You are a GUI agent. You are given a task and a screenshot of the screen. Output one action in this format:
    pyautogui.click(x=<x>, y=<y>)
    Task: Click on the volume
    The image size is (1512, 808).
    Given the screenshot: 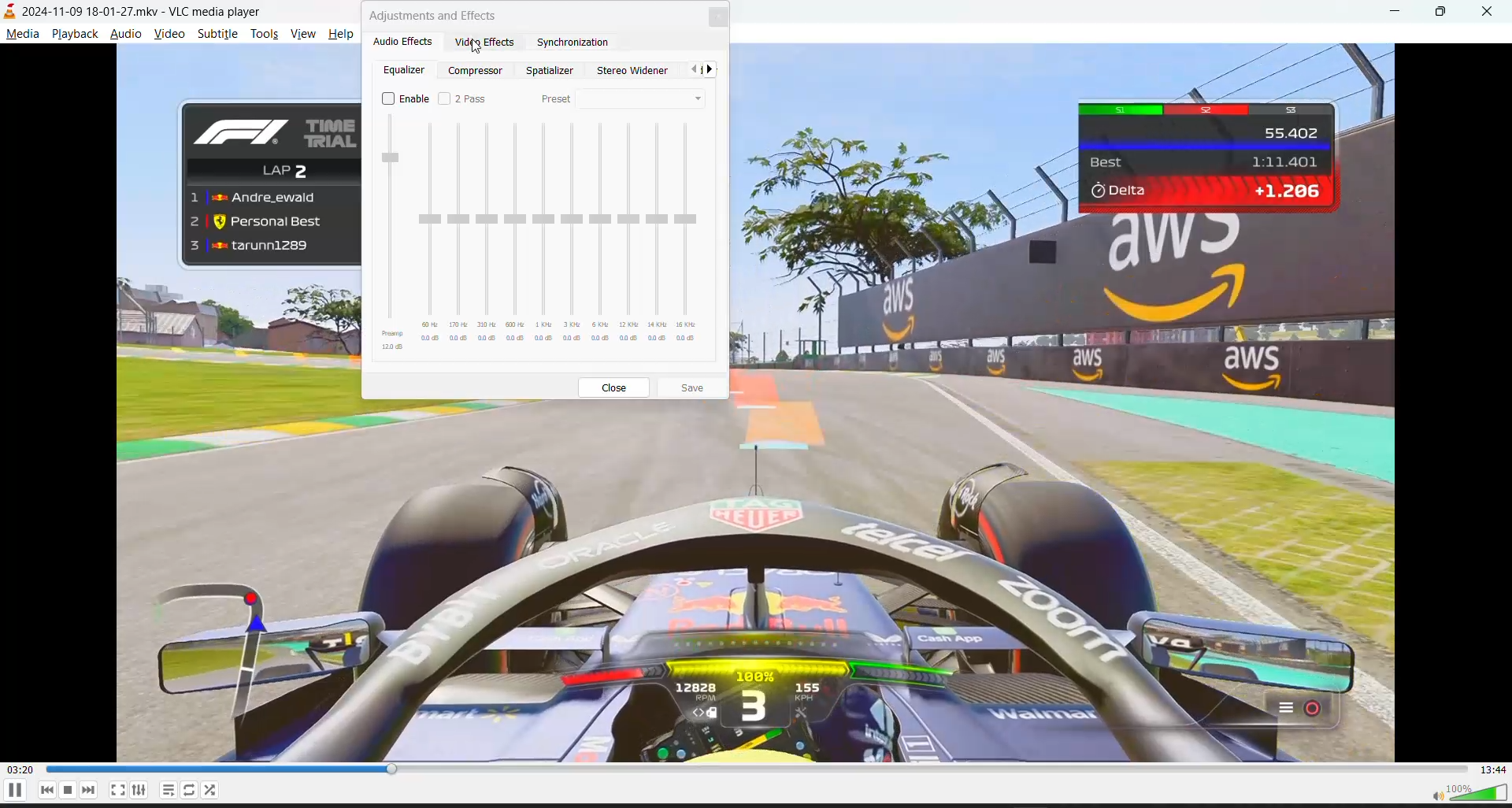 What is the action you would take?
    pyautogui.click(x=1469, y=793)
    